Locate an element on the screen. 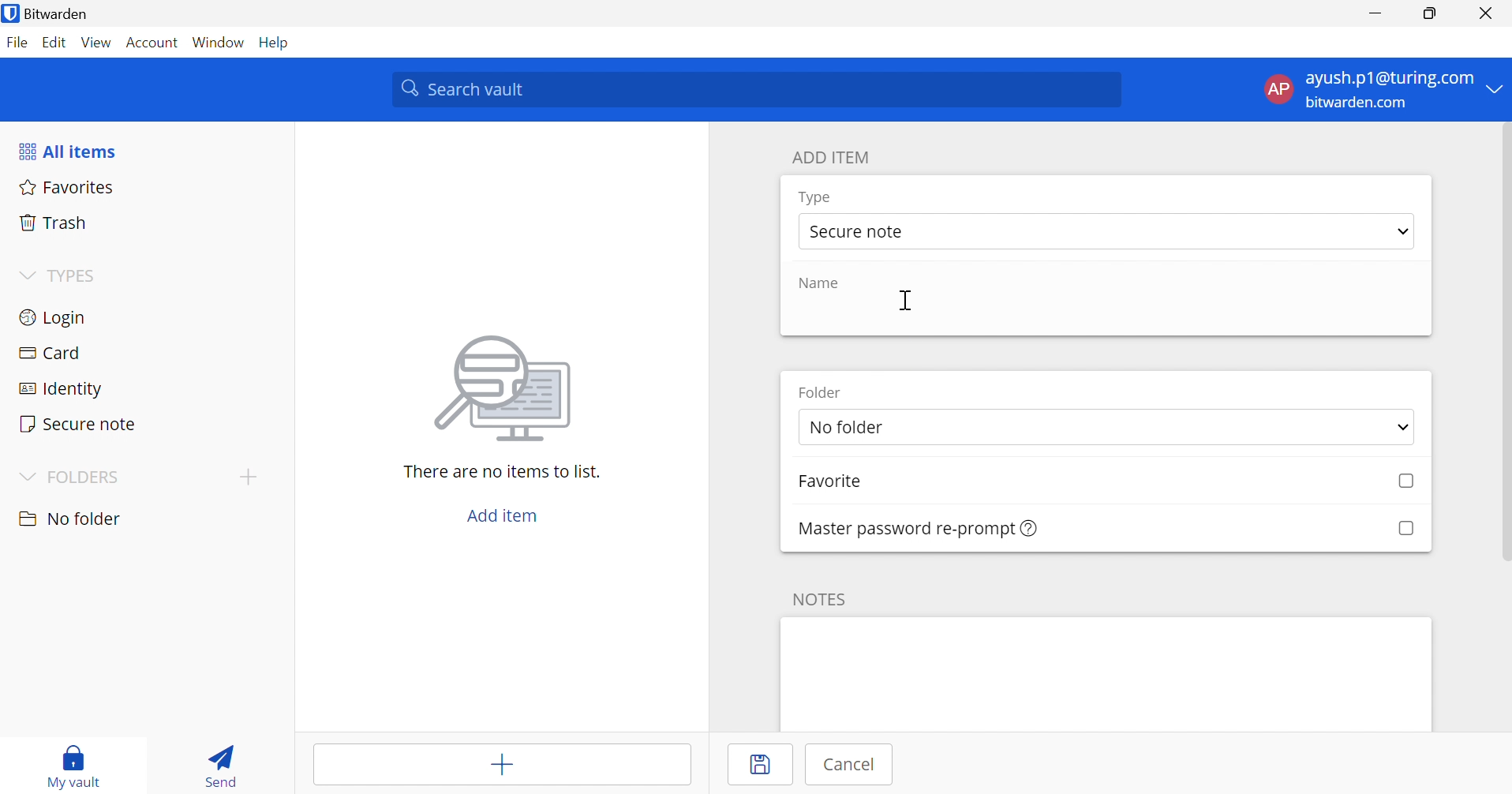  Window is located at coordinates (219, 43).